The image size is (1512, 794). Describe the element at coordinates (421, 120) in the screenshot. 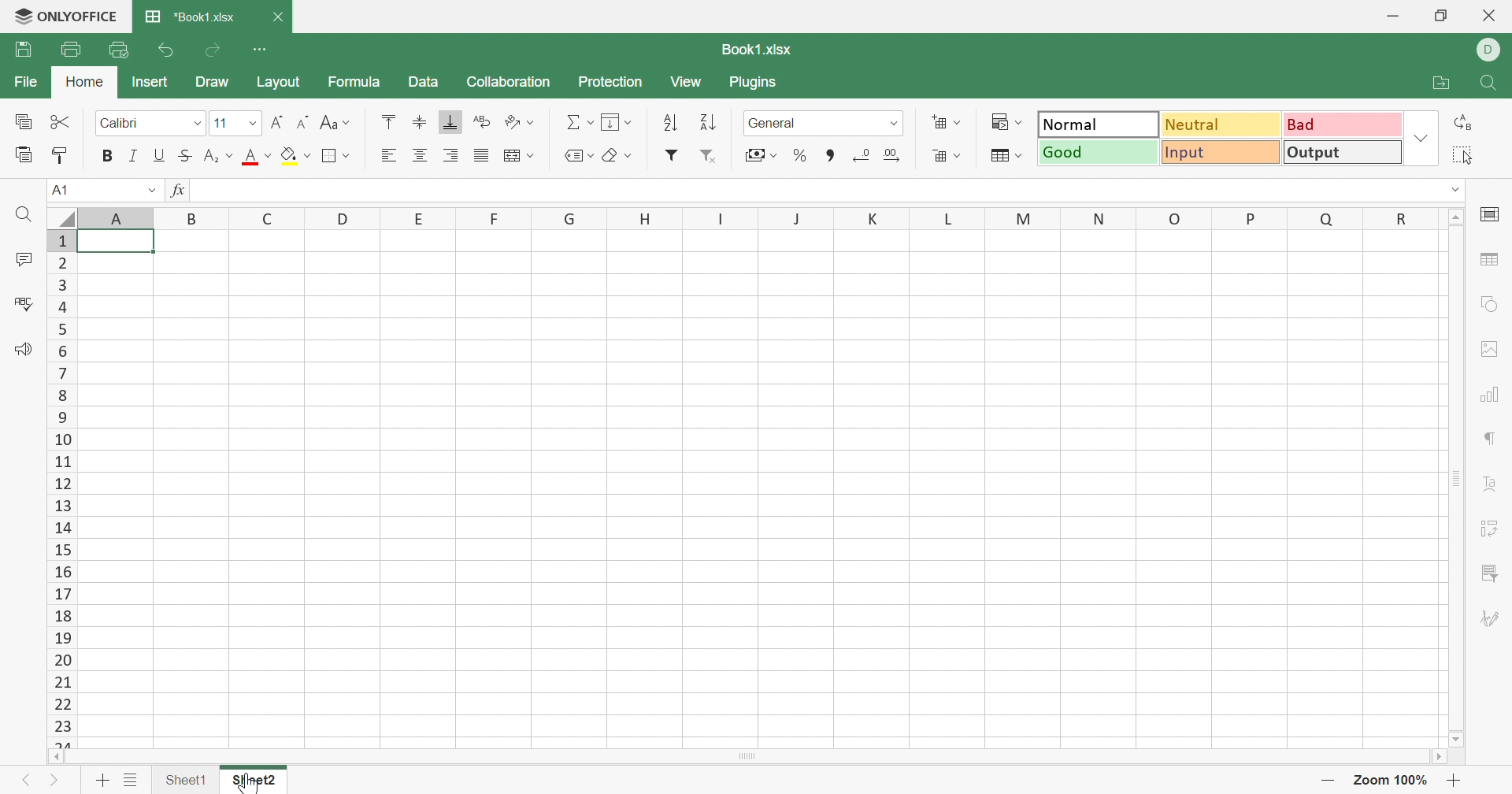

I see `Align Middle` at that location.